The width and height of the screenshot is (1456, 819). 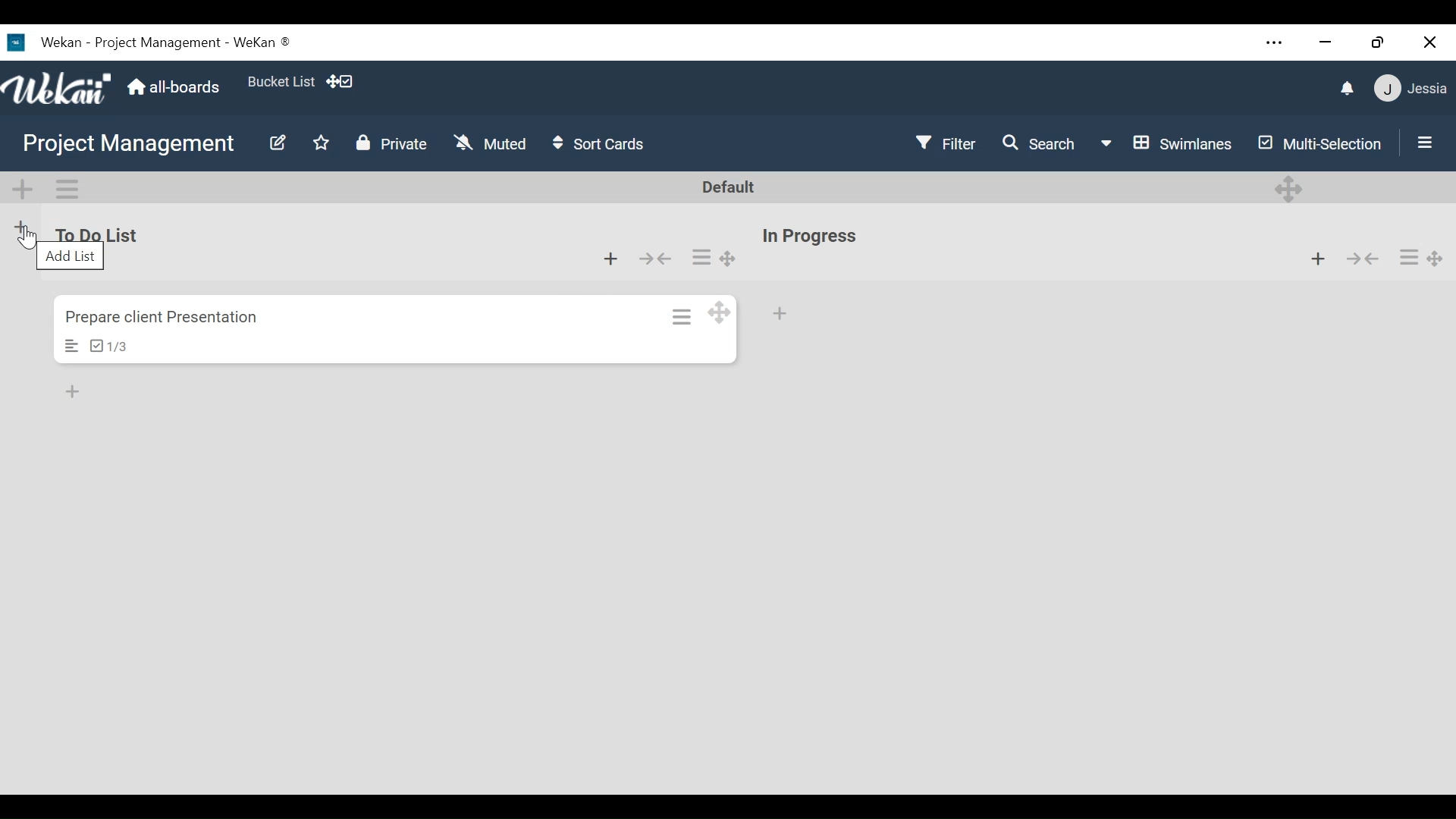 I want to click on Add List, so click(x=21, y=227).